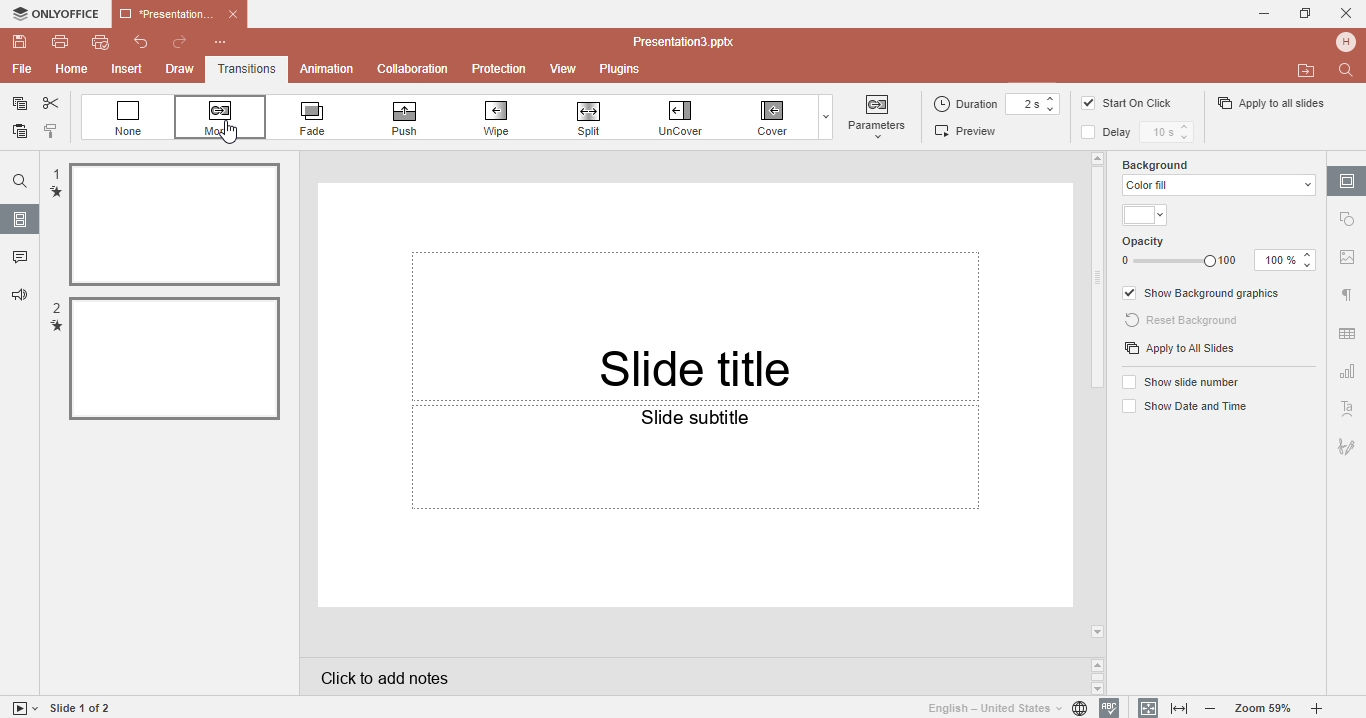  What do you see at coordinates (502, 68) in the screenshot?
I see `Protection` at bounding box center [502, 68].